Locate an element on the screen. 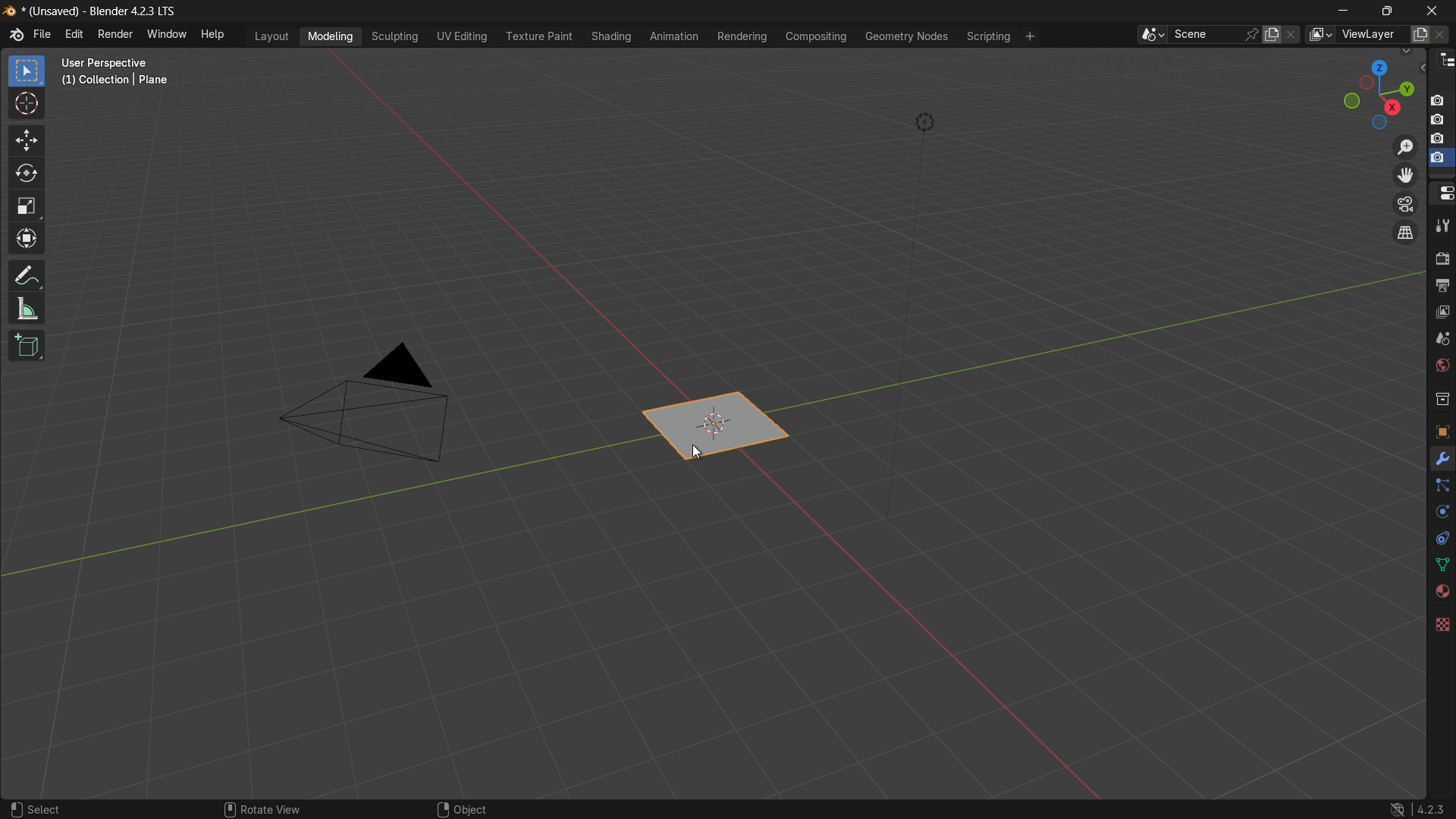 Image resolution: width=1456 pixels, height=819 pixels. output is located at coordinates (1441, 284).